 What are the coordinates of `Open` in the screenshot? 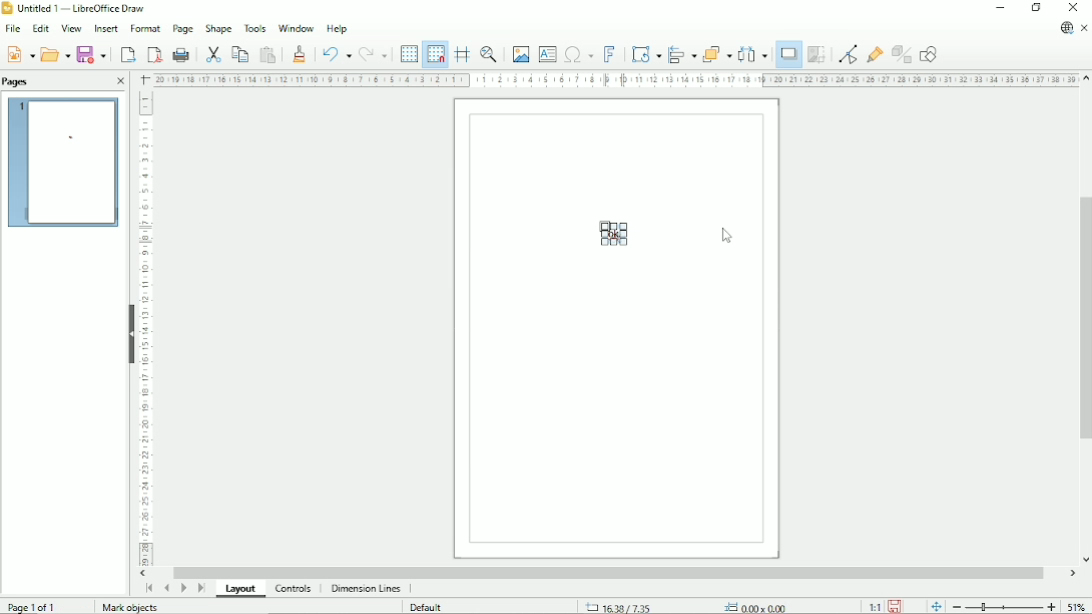 It's located at (56, 54).